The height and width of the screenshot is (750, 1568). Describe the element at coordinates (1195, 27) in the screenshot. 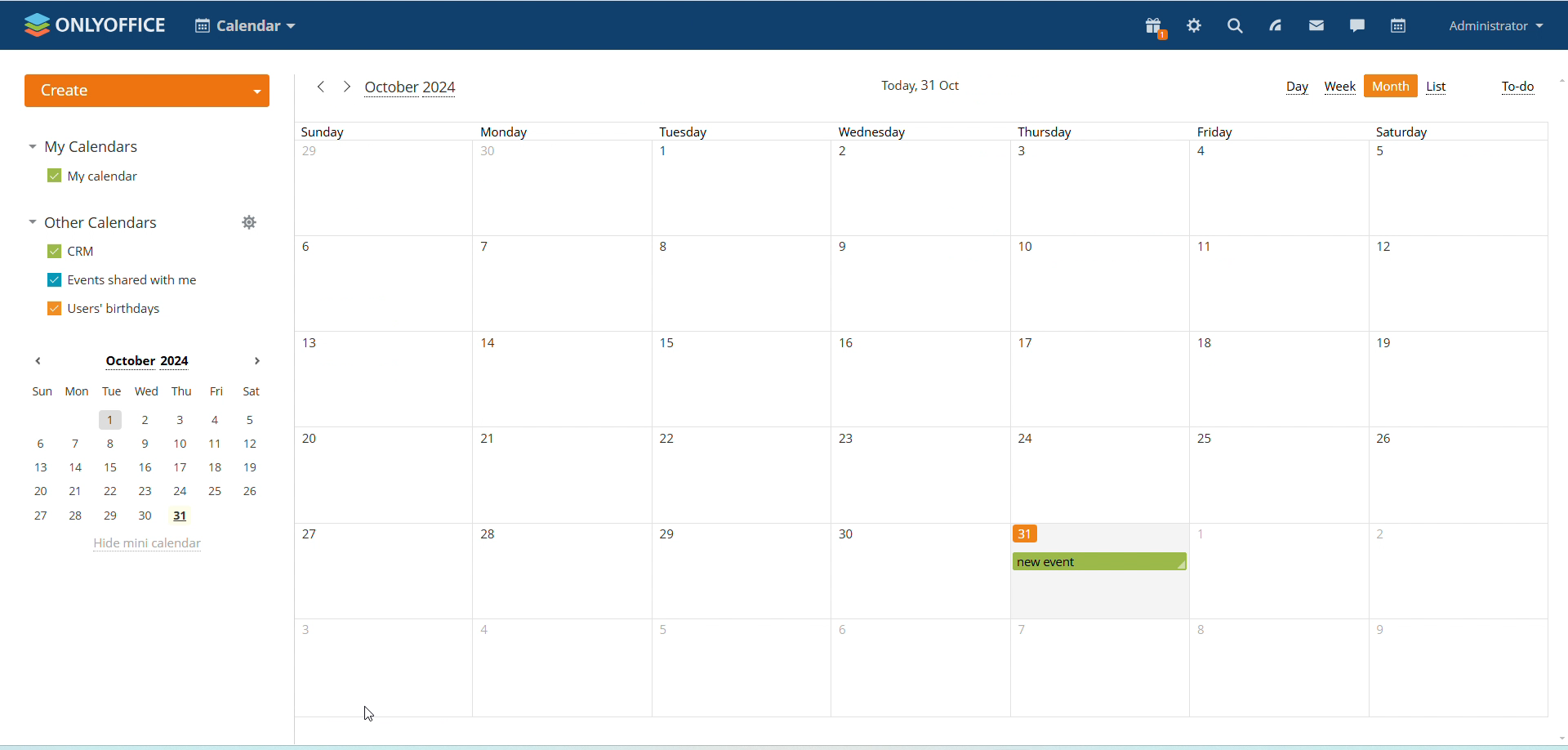

I see `settings` at that location.